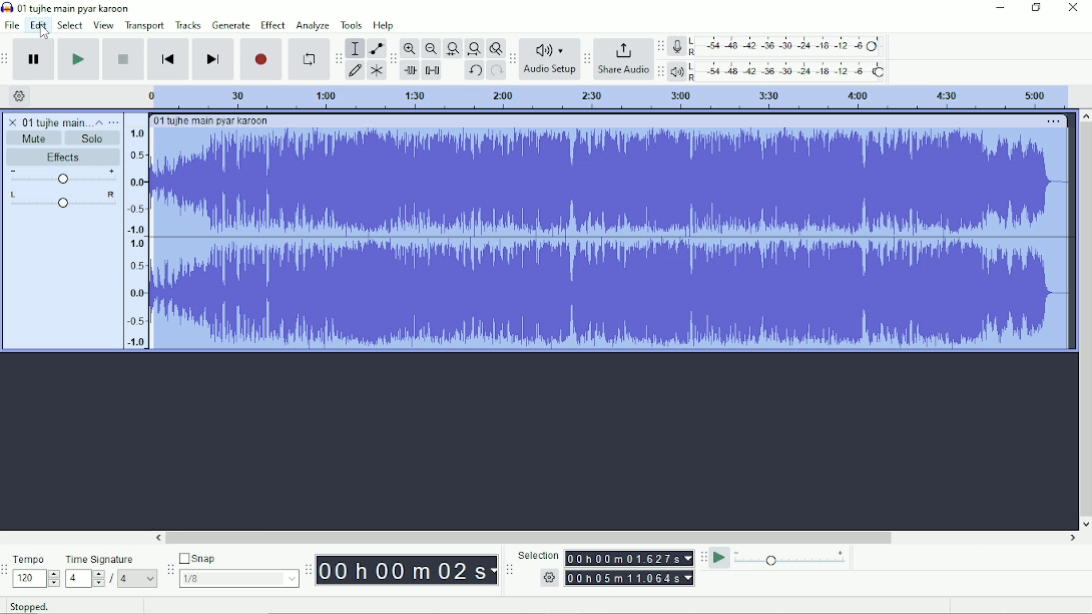 This screenshot has height=614, width=1092. I want to click on Audio Setup, so click(549, 59).